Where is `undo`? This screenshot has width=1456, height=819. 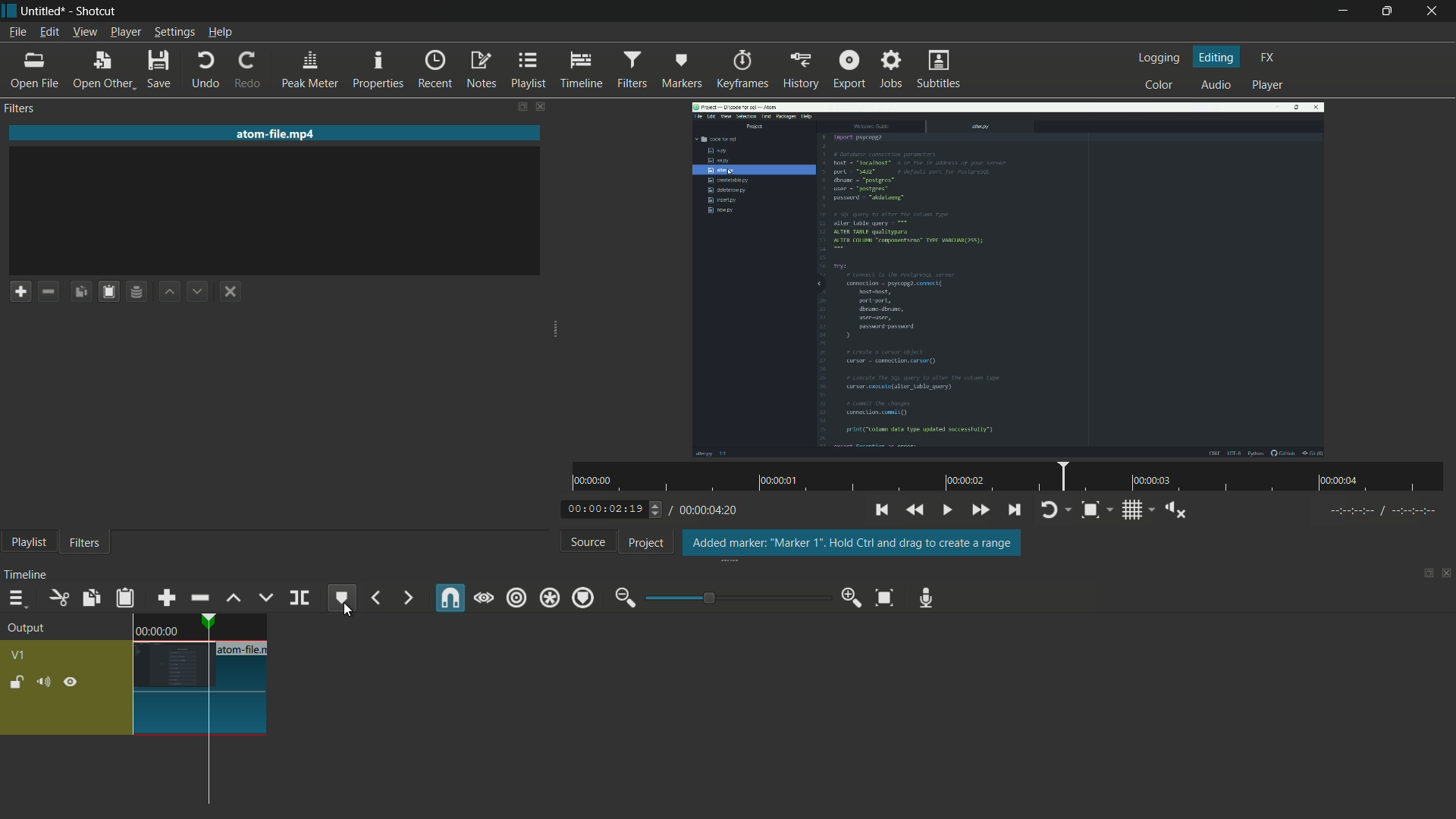
undo is located at coordinates (207, 71).